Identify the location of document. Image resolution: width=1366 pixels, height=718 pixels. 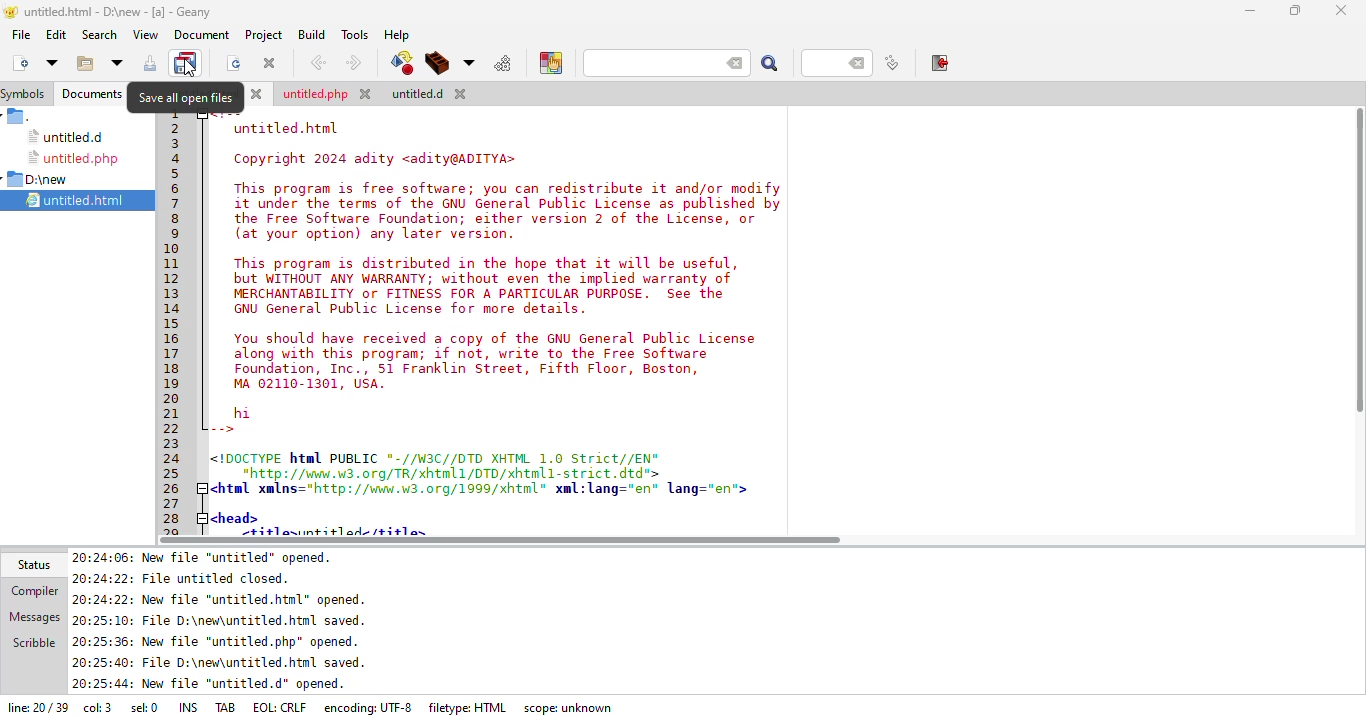
(201, 35).